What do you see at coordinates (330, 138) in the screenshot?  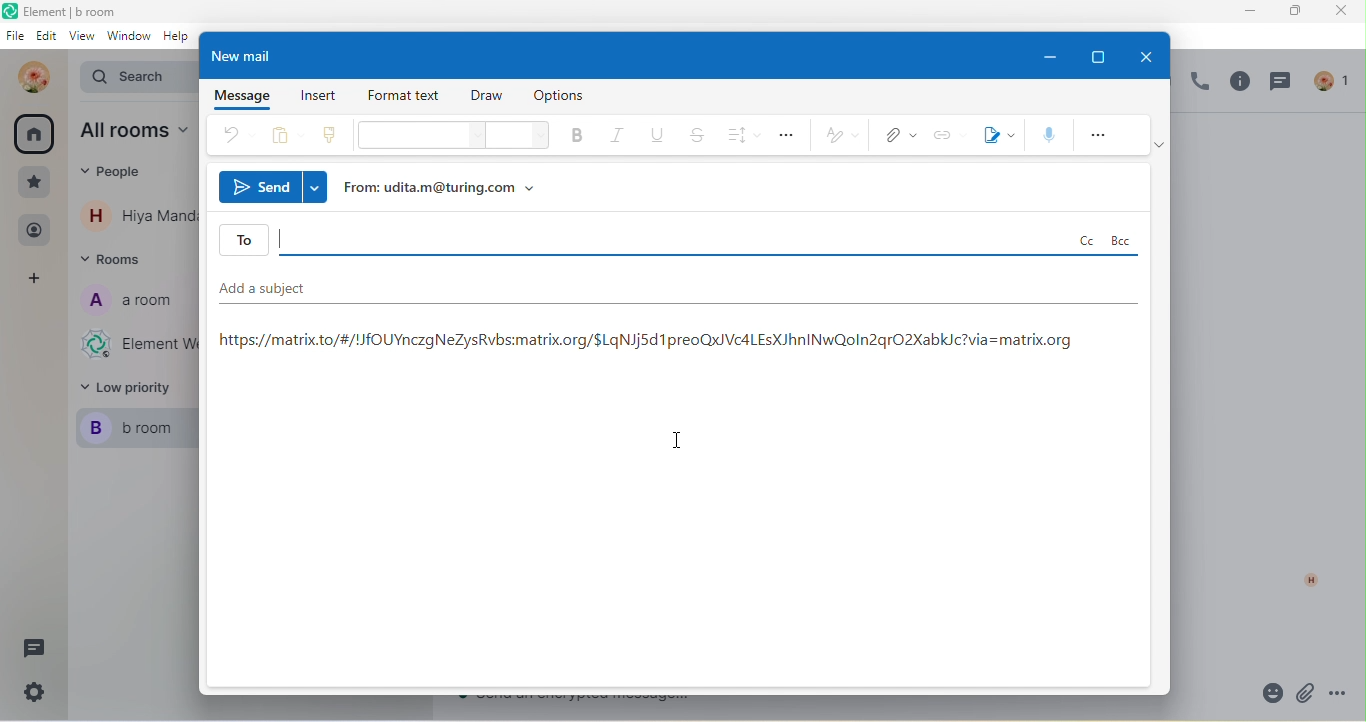 I see `clone` at bounding box center [330, 138].